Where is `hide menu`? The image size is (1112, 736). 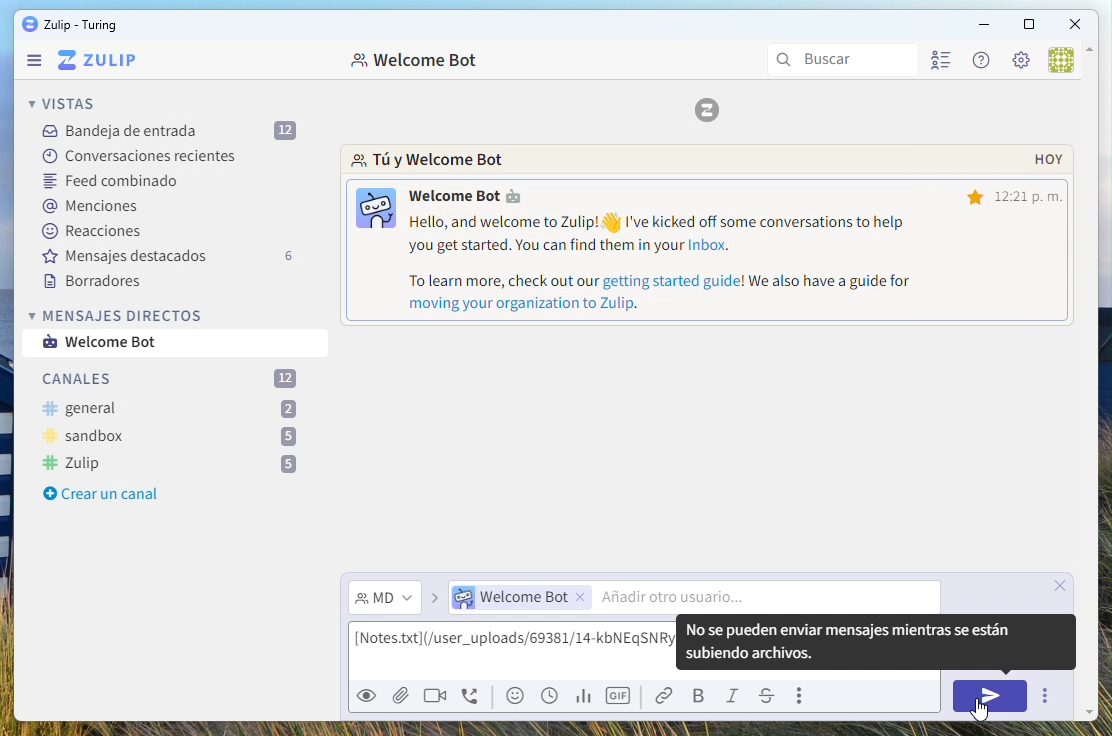
hide menu is located at coordinates (1091, 52).